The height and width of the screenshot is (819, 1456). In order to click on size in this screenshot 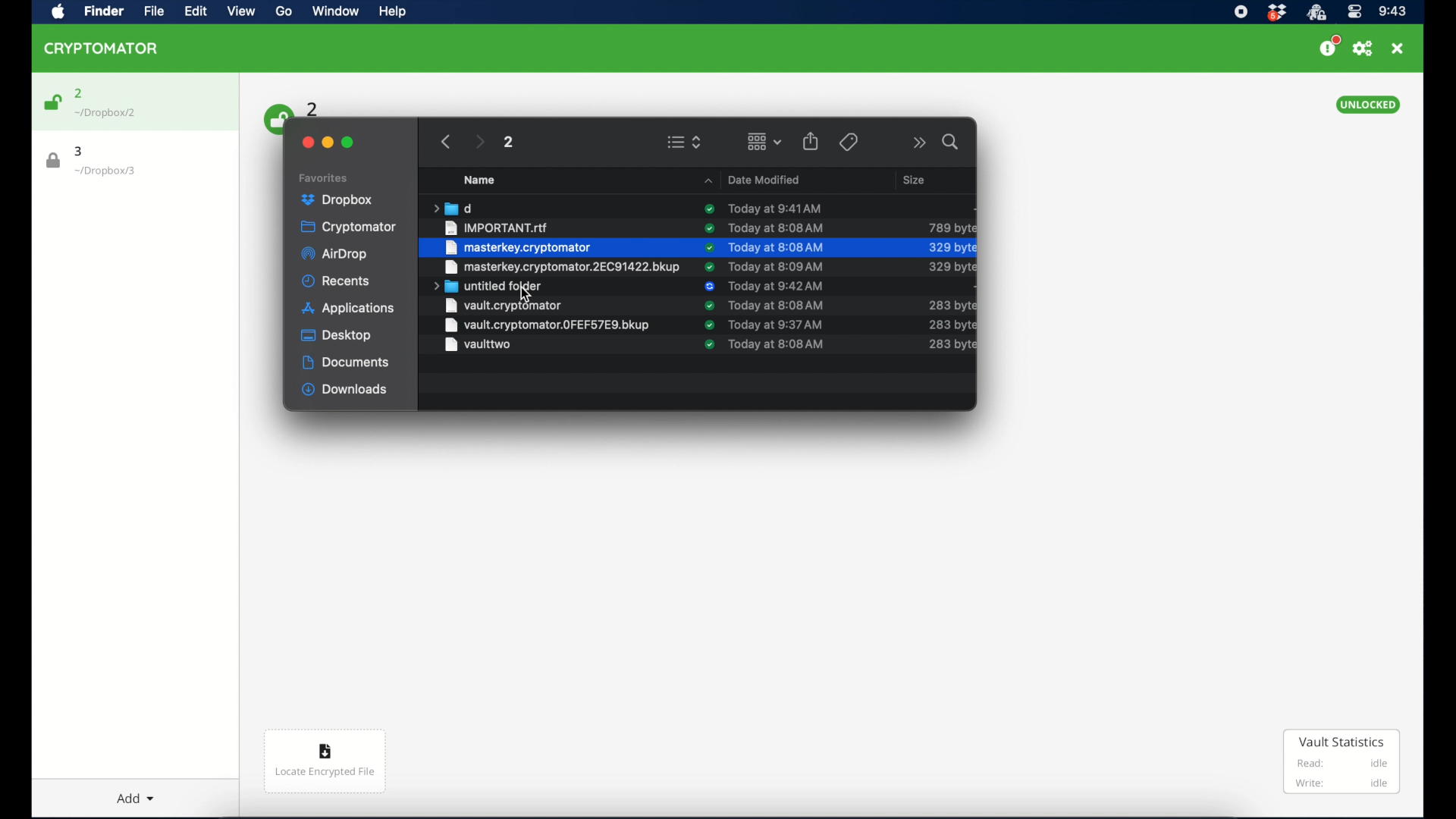, I will do `click(951, 266)`.